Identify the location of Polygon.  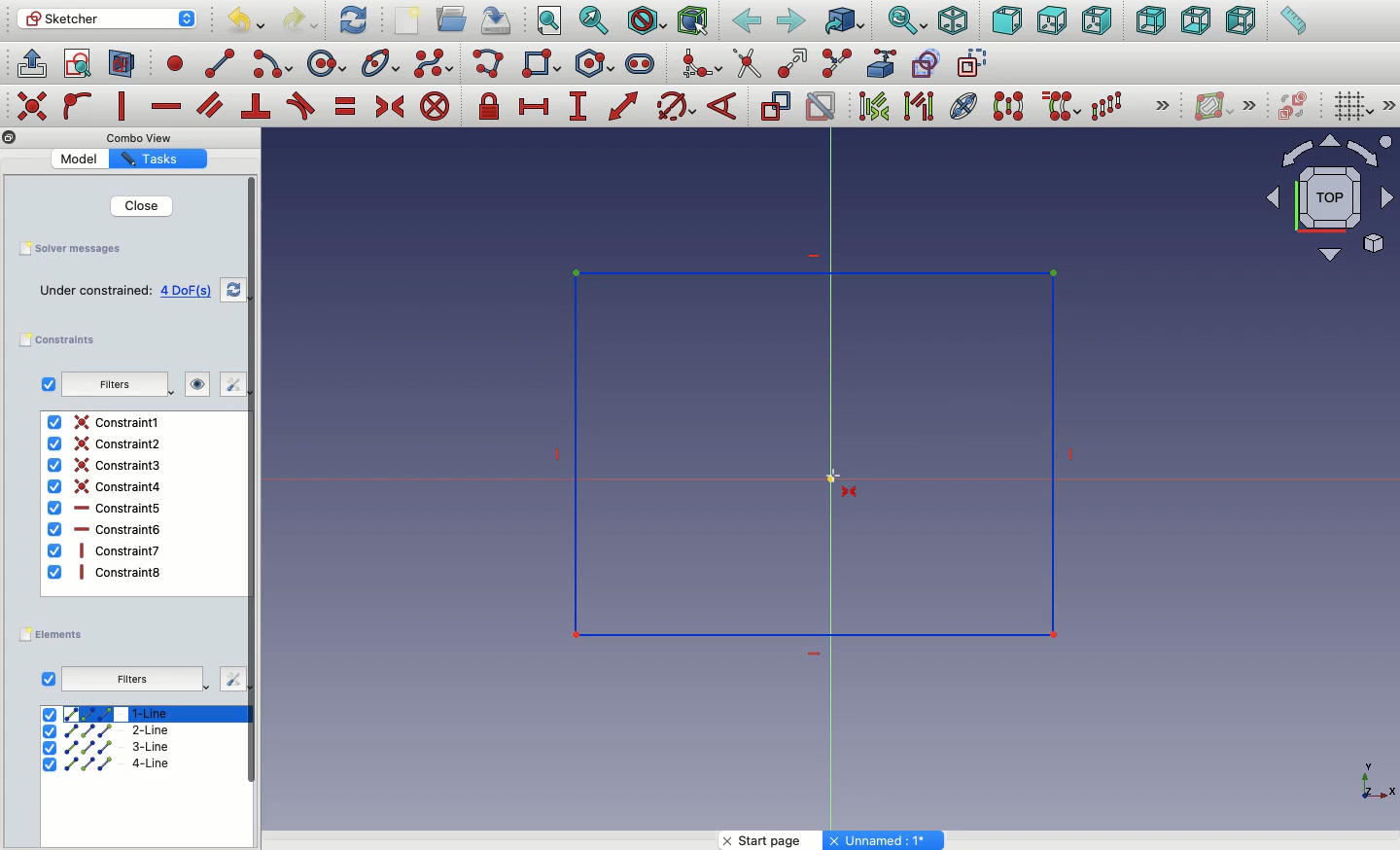
(598, 64).